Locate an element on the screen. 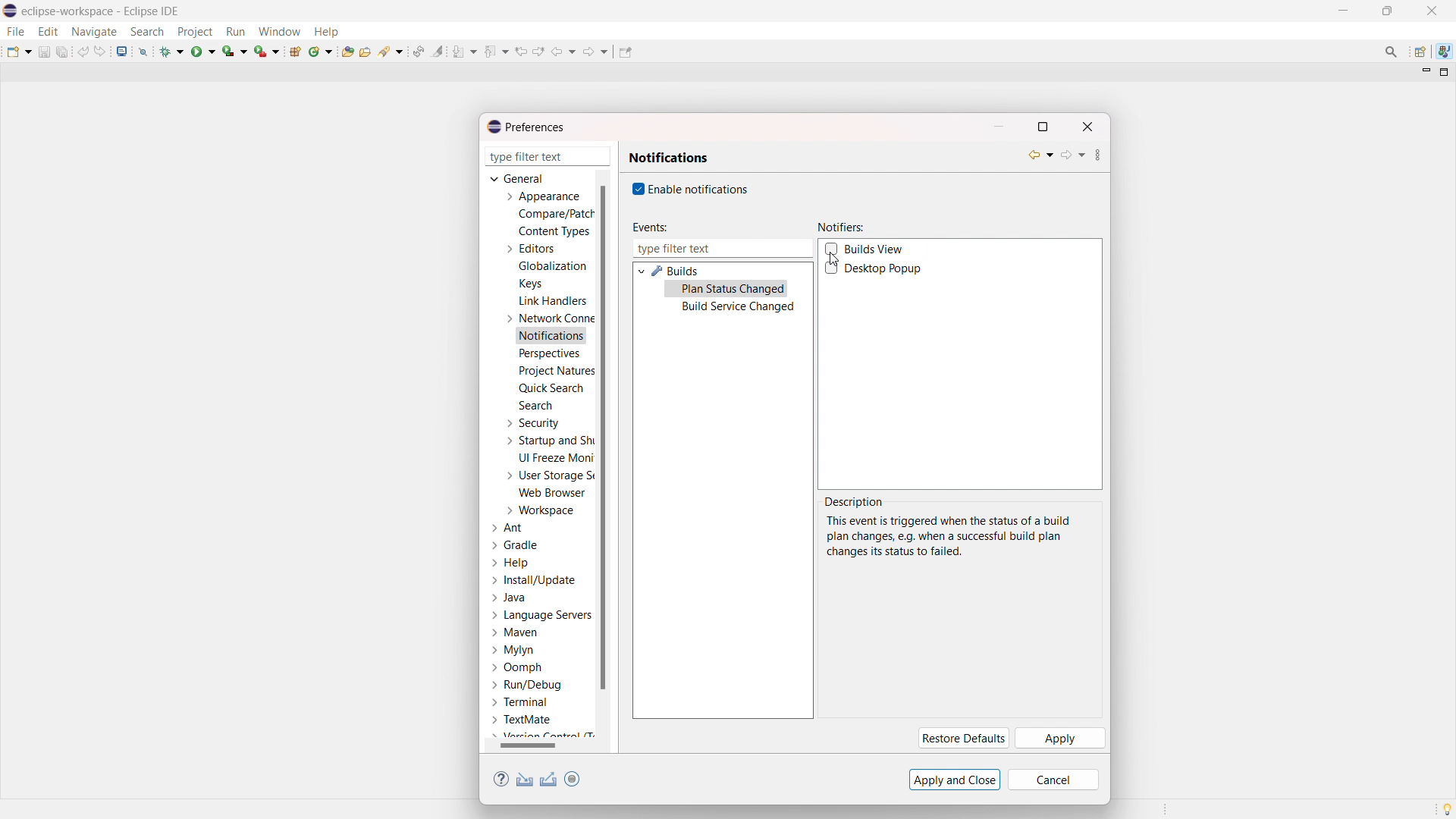 Image resolution: width=1456 pixels, height=819 pixels. minimize view is located at coordinates (1424, 71).